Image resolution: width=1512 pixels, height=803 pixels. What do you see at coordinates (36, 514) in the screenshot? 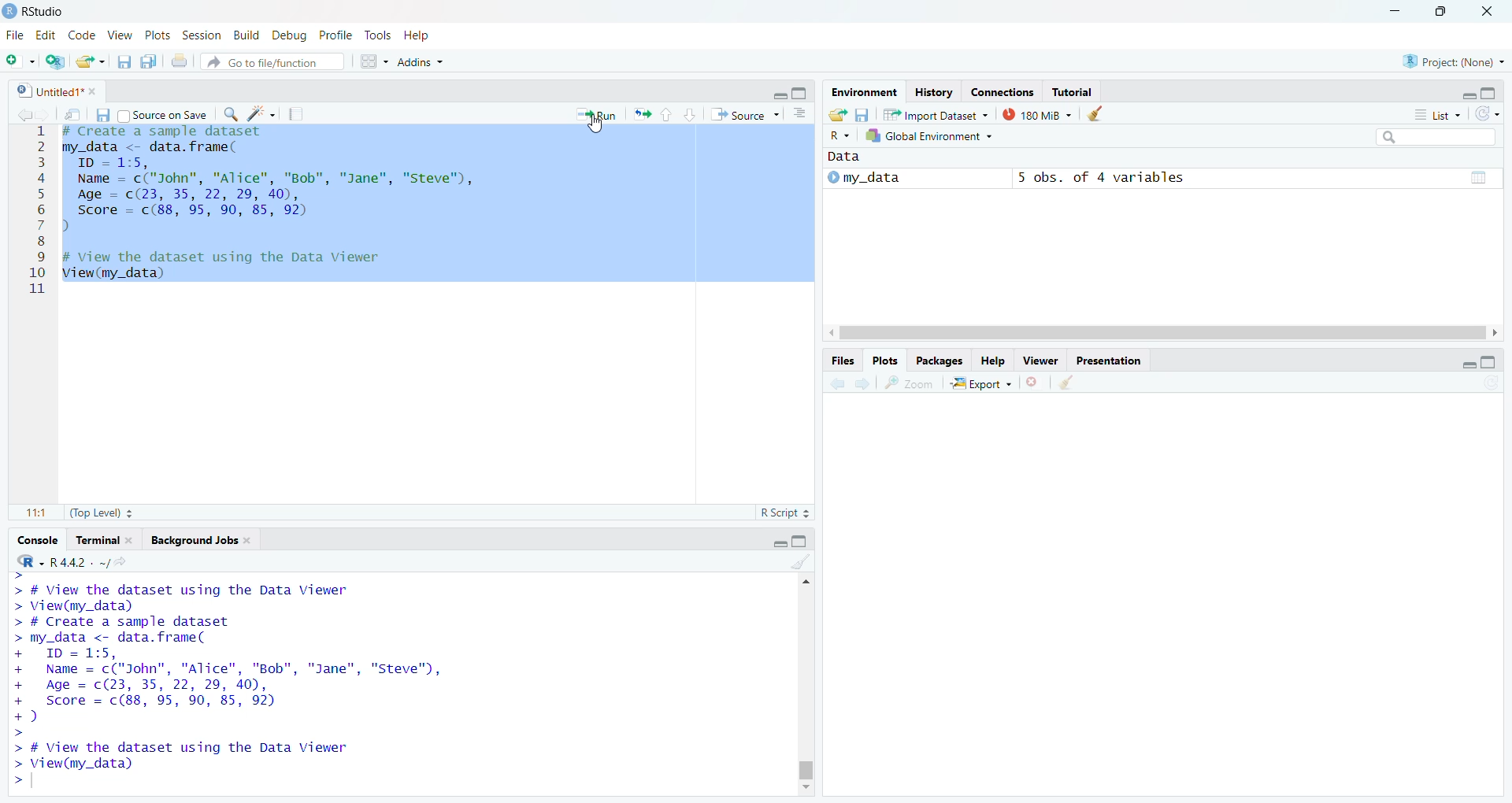
I see `1:1` at bounding box center [36, 514].